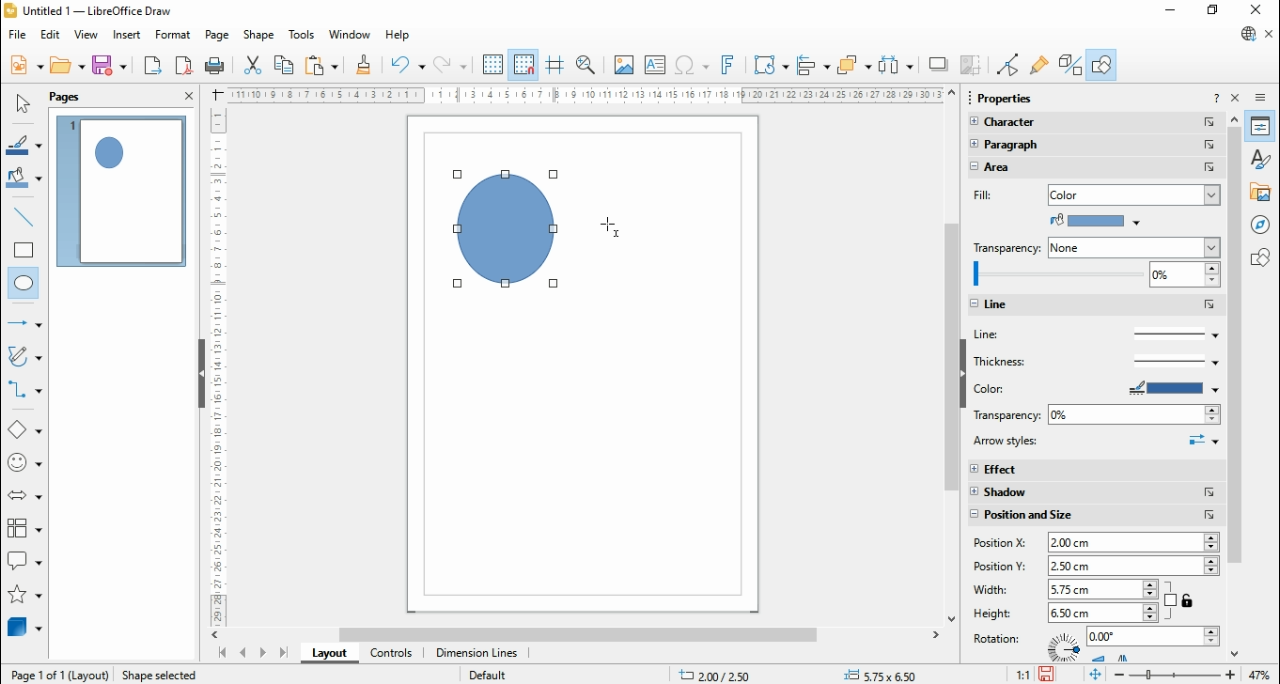  Describe the element at coordinates (1214, 11) in the screenshot. I see `restore` at that location.